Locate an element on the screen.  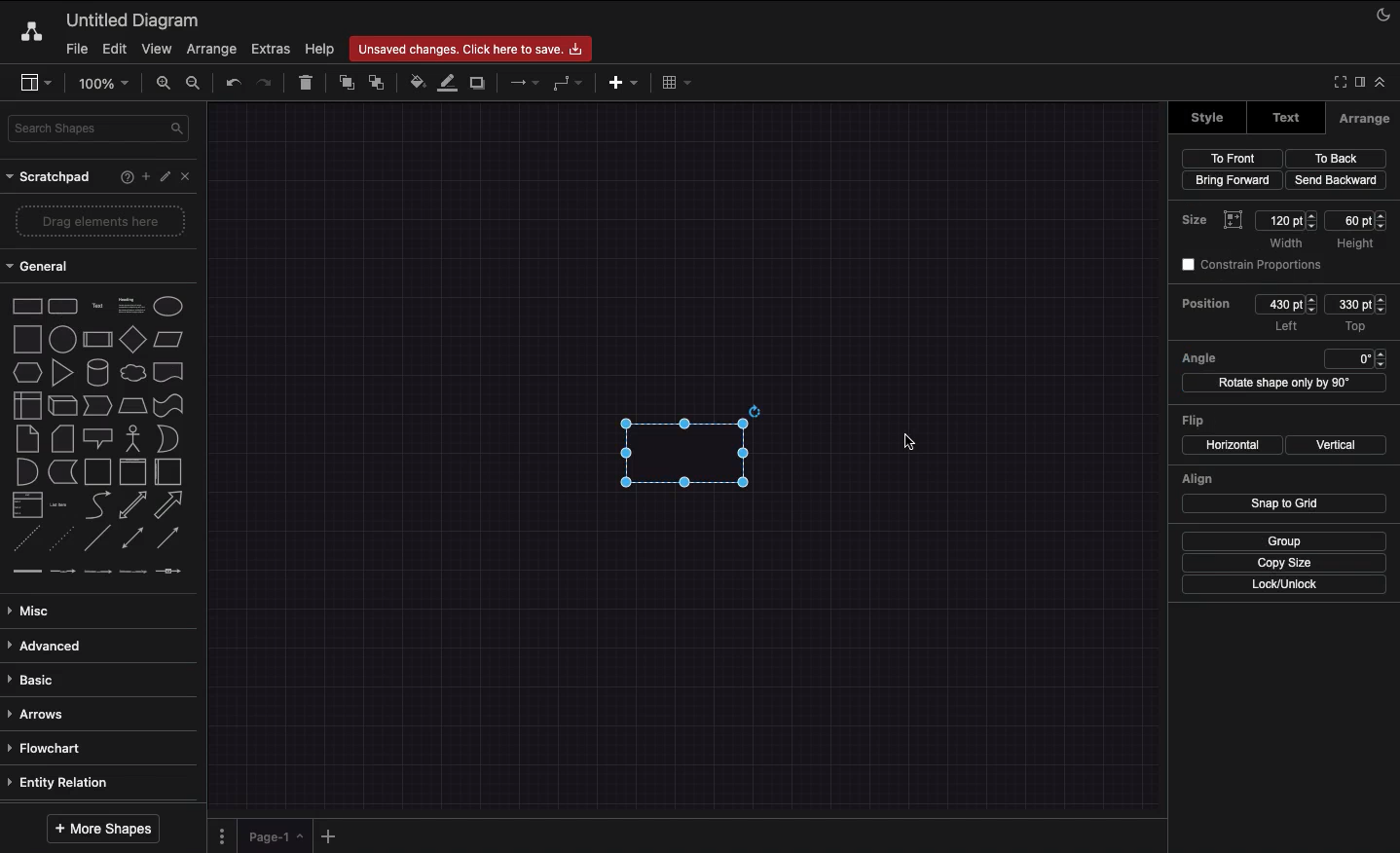
Add is located at coordinates (142, 177).